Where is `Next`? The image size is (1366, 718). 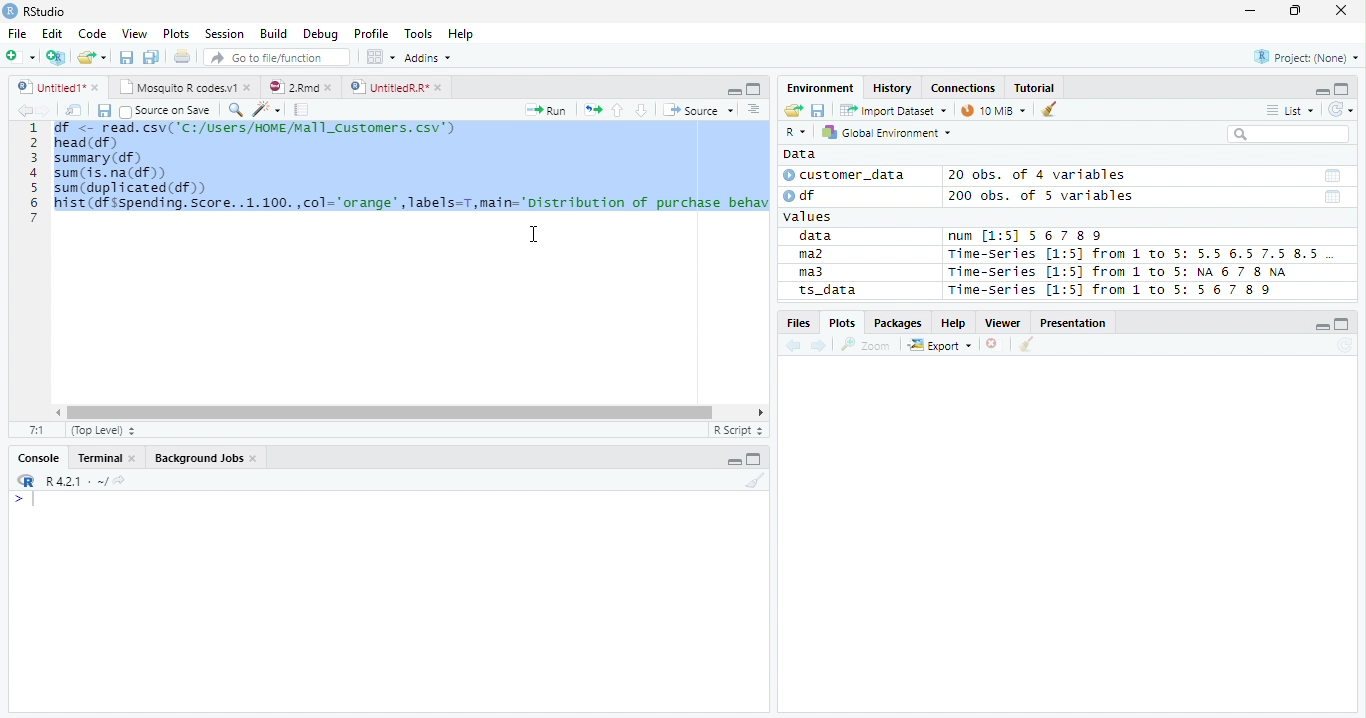
Next is located at coordinates (45, 111).